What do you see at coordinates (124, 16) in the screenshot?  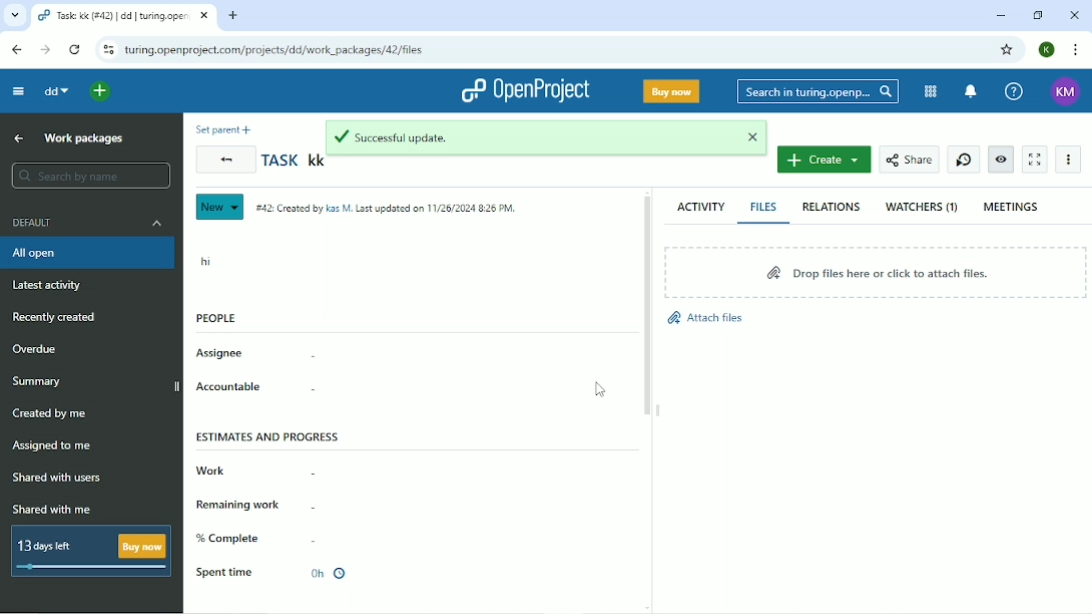 I see `Task: kk (#42) | dd | turing.openproject.com` at bounding box center [124, 16].